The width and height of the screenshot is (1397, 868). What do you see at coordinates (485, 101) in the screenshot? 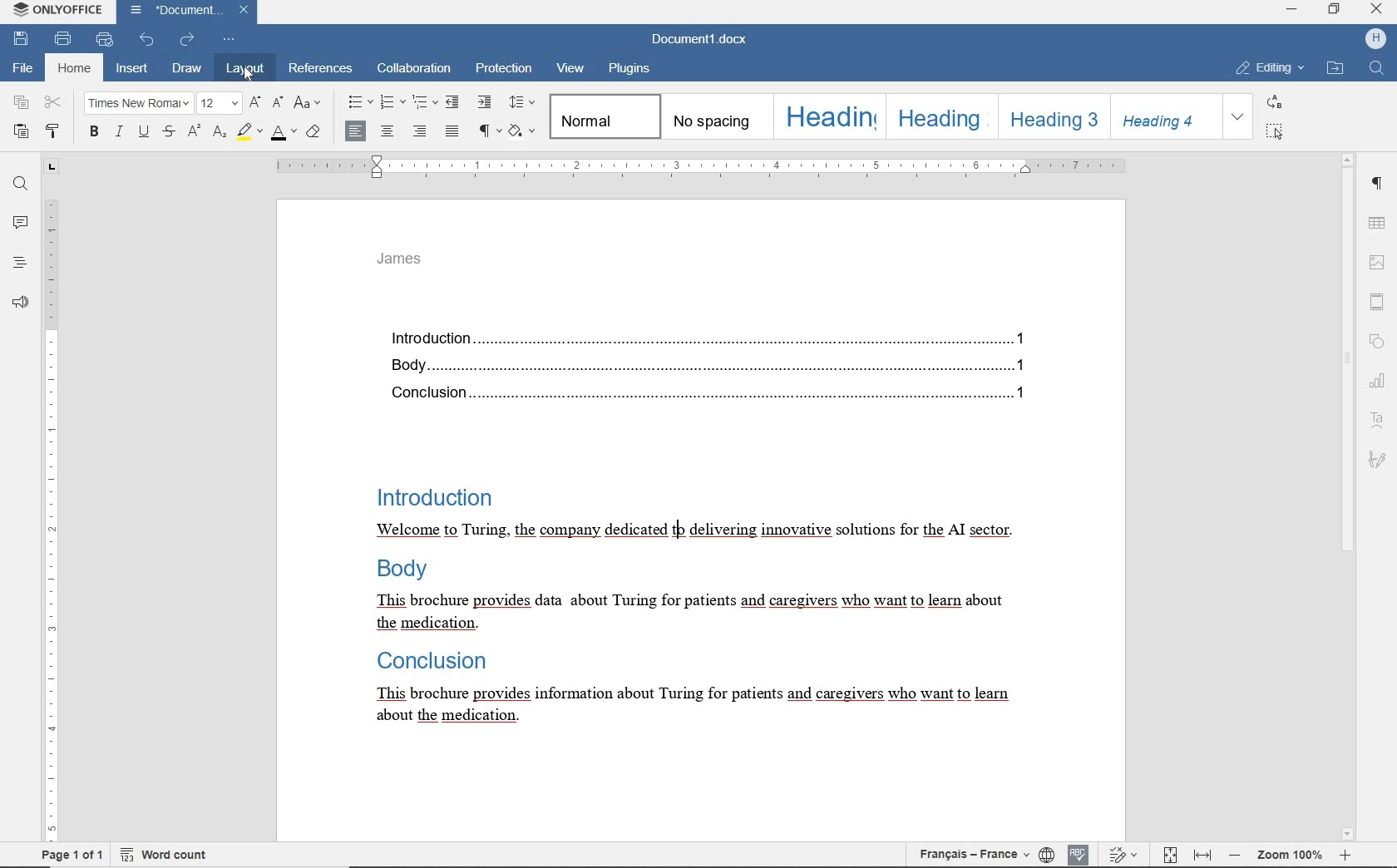
I see `increase indent` at bounding box center [485, 101].